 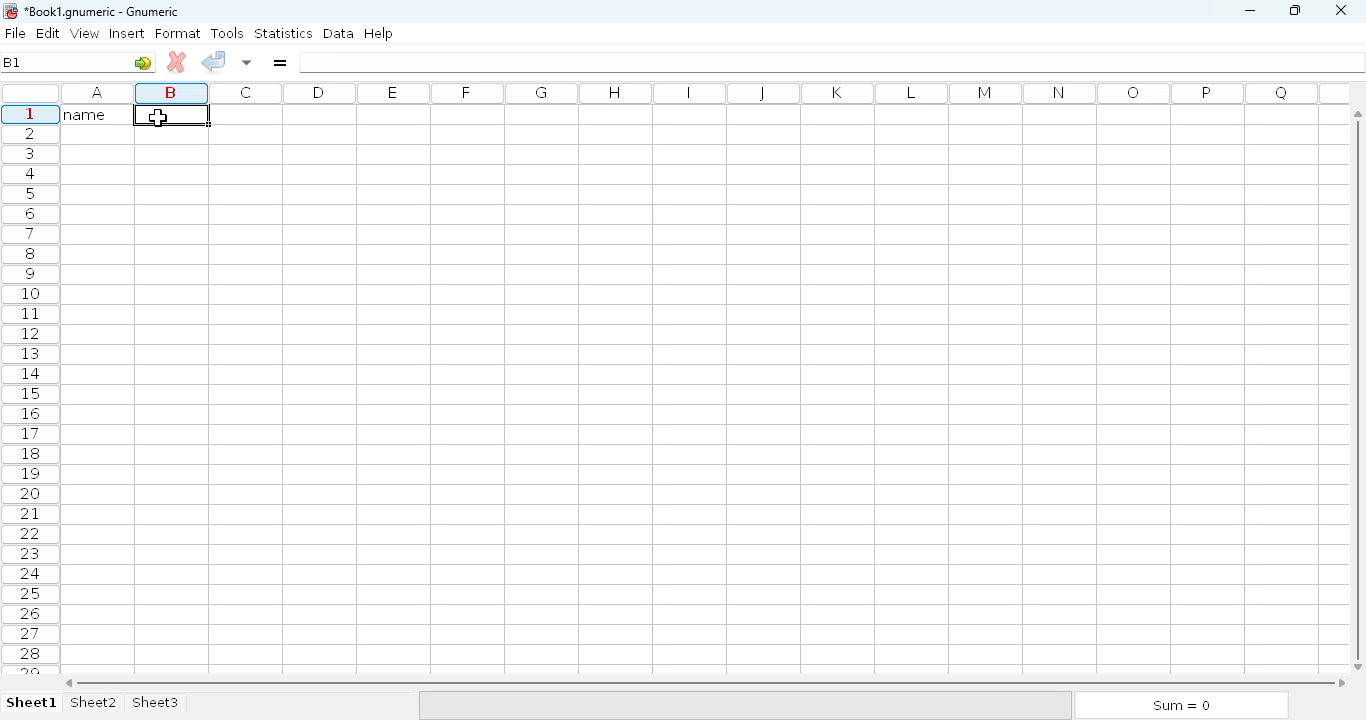 I want to click on accept change, so click(x=213, y=60).